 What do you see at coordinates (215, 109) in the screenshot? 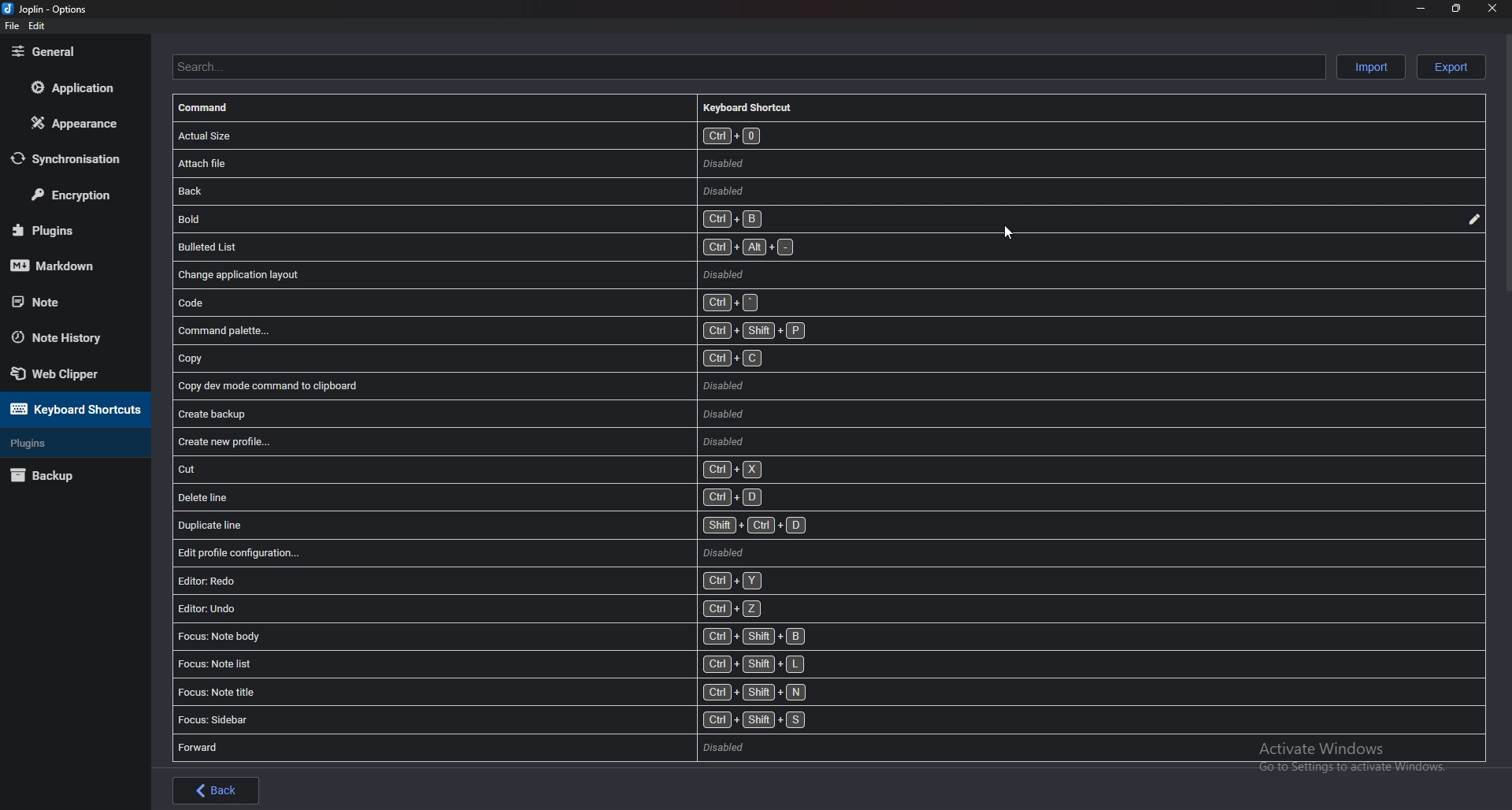
I see `Command` at bounding box center [215, 109].